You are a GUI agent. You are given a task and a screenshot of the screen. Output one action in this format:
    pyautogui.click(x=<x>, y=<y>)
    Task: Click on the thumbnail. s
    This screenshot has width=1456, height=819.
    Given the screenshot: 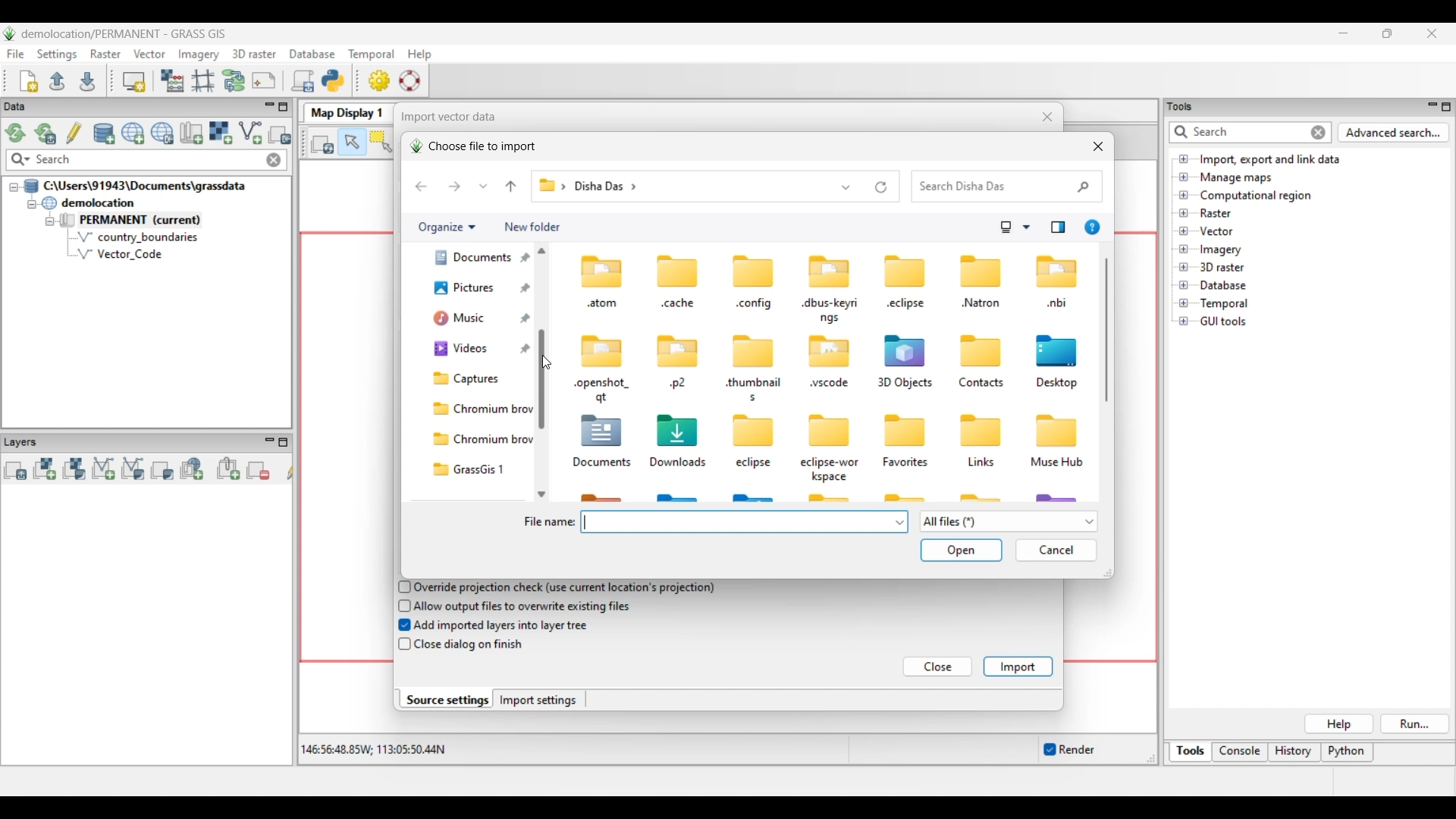 What is the action you would take?
    pyautogui.click(x=752, y=390)
    